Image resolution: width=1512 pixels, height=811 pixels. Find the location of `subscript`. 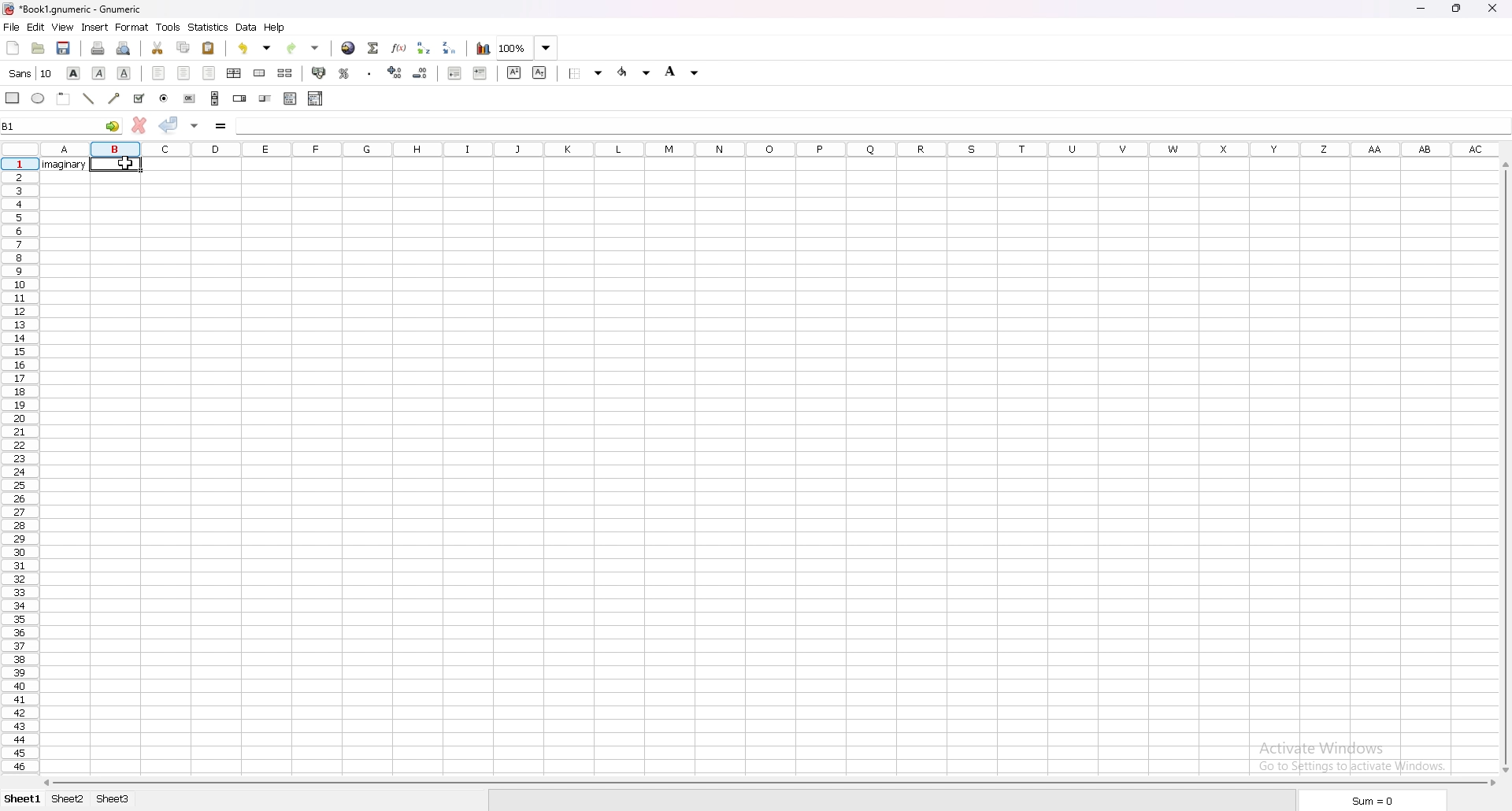

subscript is located at coordinates (540, 72).